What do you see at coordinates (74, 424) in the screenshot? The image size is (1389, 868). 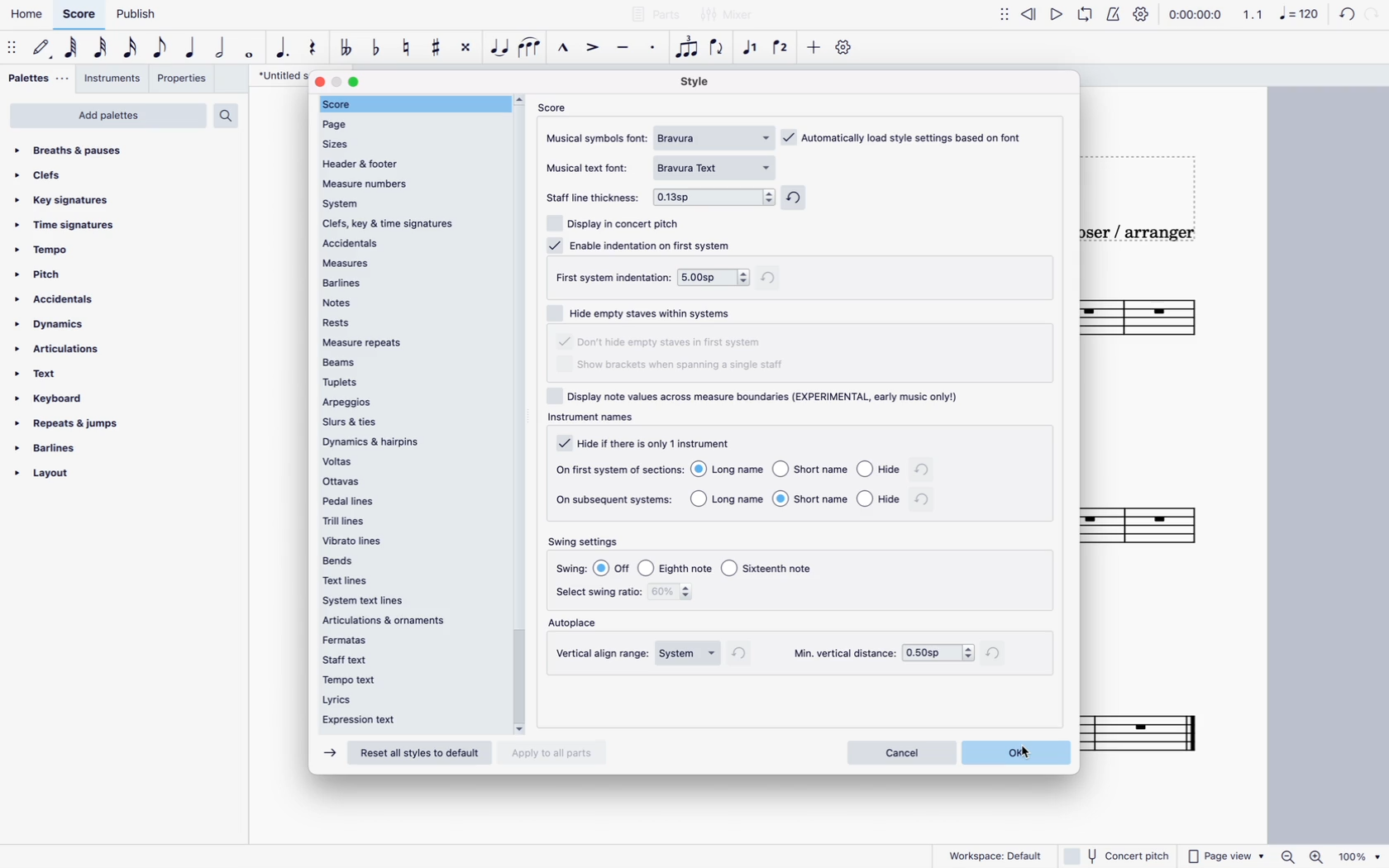 I see `repeats & jumps` at bounding box center [74, 424].